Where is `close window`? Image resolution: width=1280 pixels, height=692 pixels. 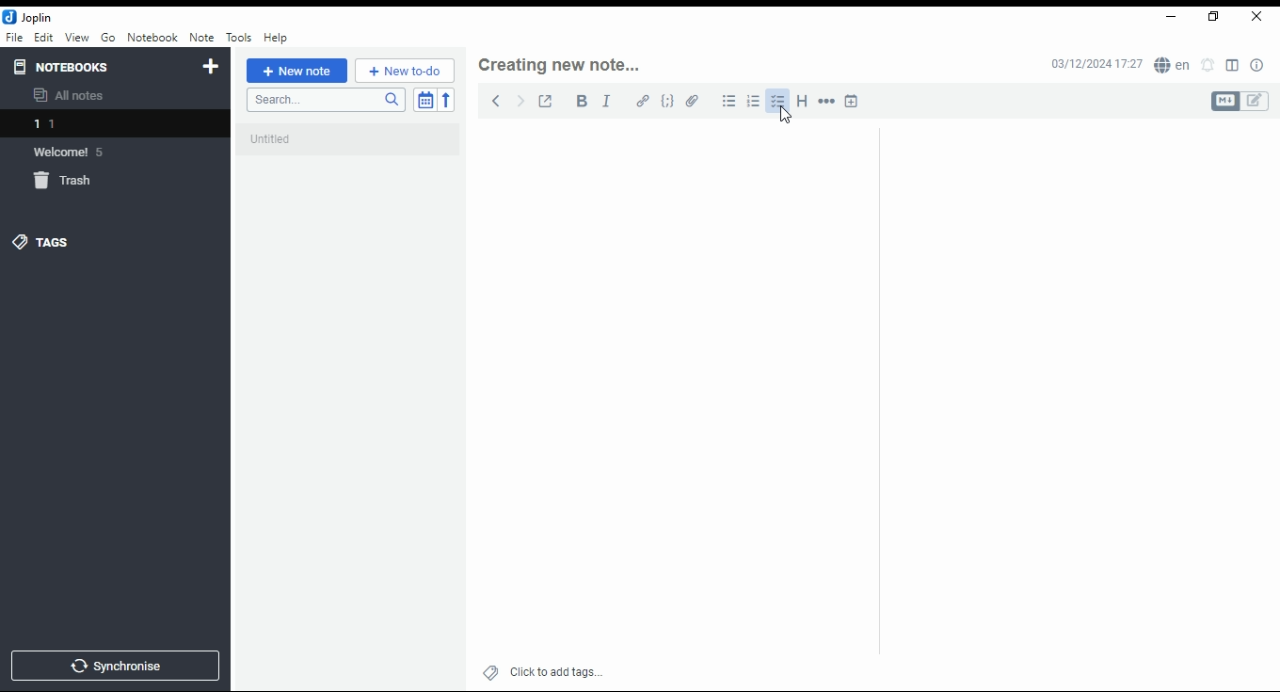
close window is located at coordinates (1257, 18).